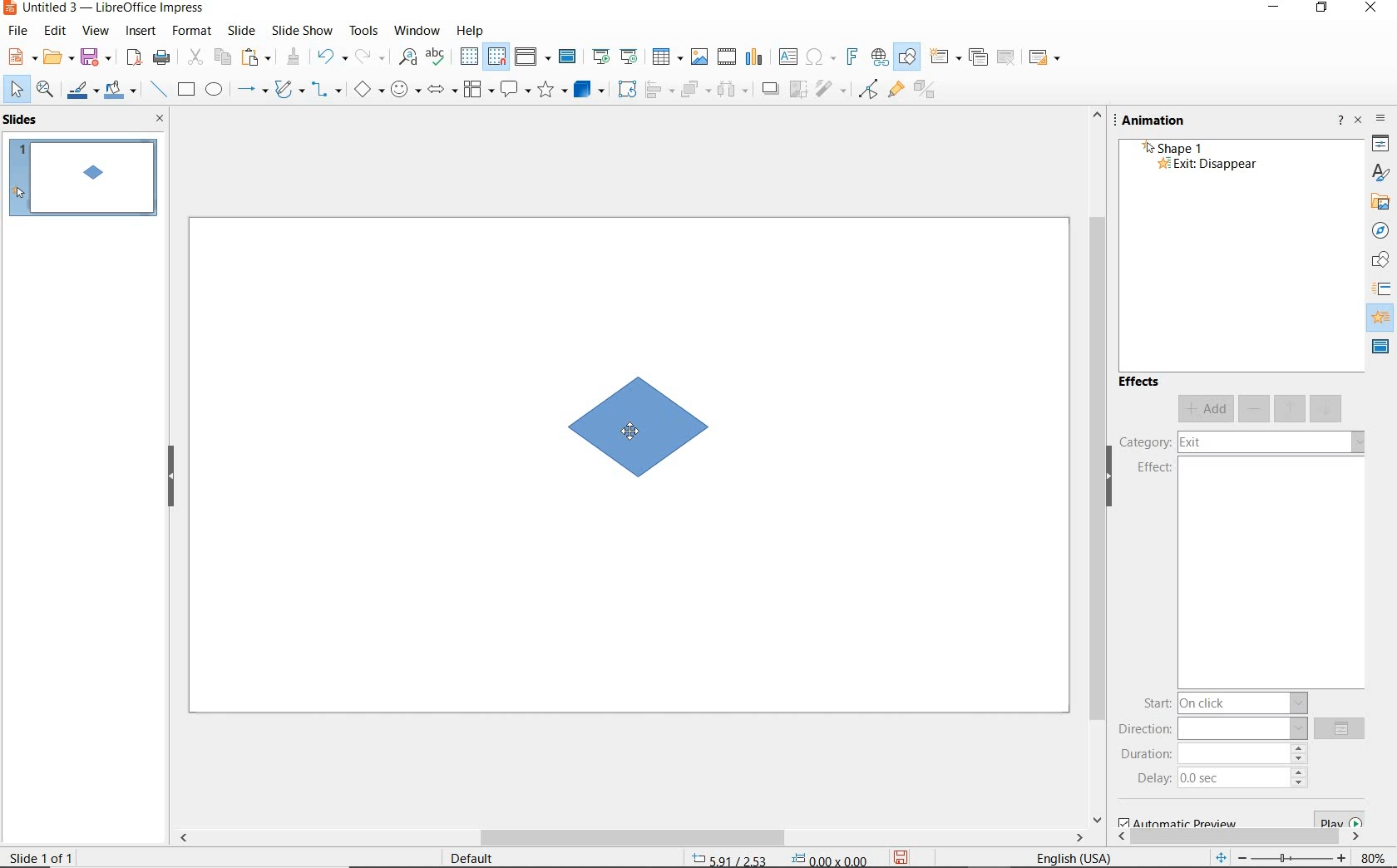 The height and width of the screenshot is (868, 1397). I want to click on insert line, so click(159, 88).